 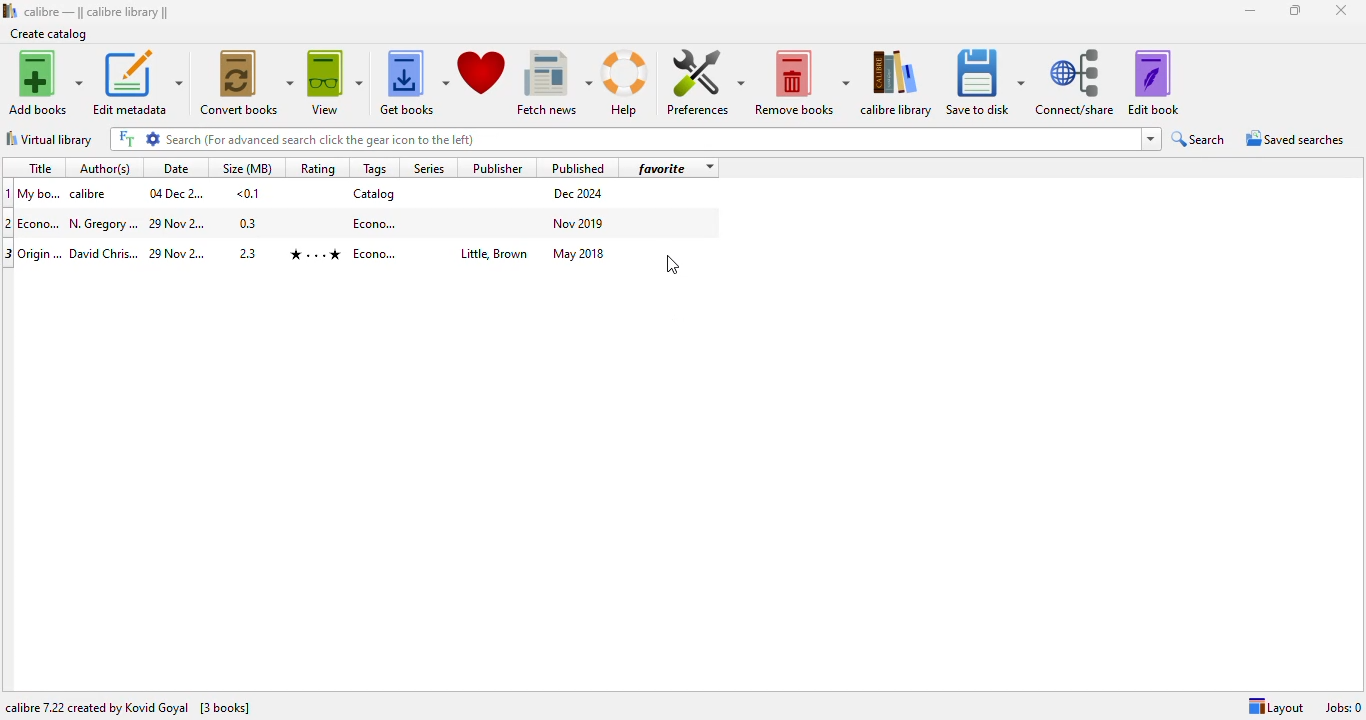 I want to click on saved searches, so click(x=1295, y=138).